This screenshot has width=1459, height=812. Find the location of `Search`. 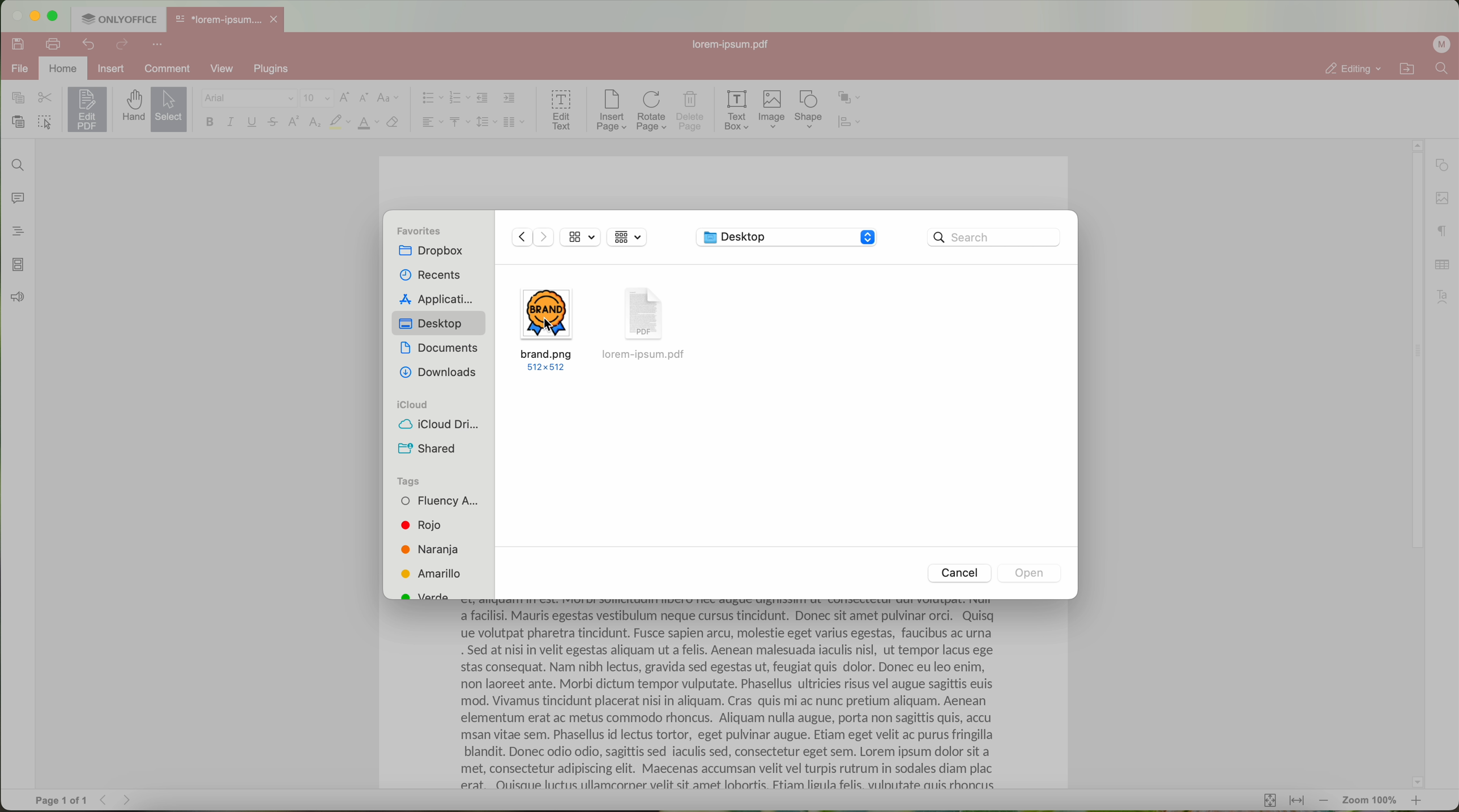

Search is located at coordinates (987, 236).